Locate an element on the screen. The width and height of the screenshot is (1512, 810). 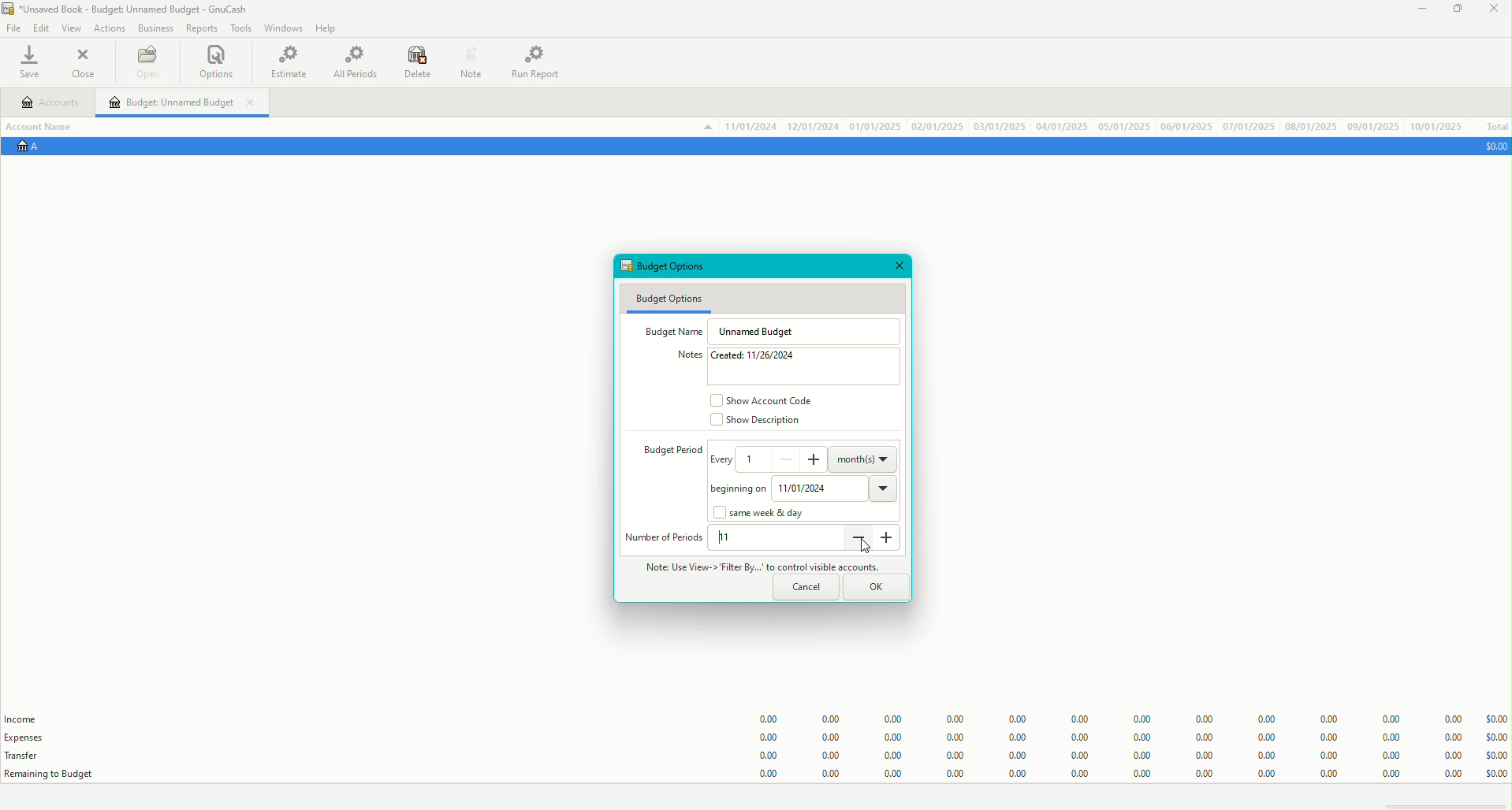
every is located at coordinates (723, 464).